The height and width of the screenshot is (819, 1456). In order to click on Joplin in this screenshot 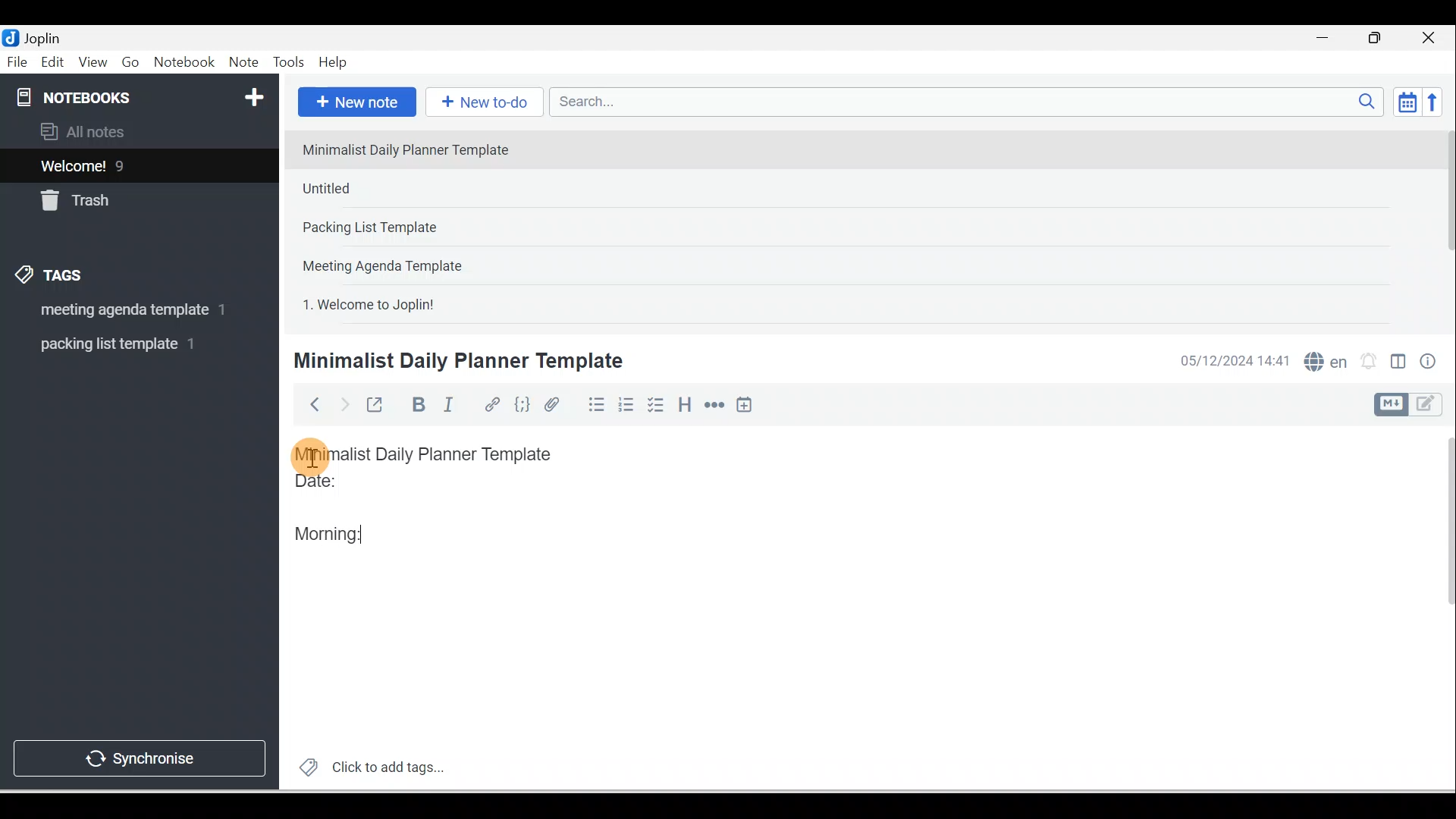, I will do `click(46, 36)`.